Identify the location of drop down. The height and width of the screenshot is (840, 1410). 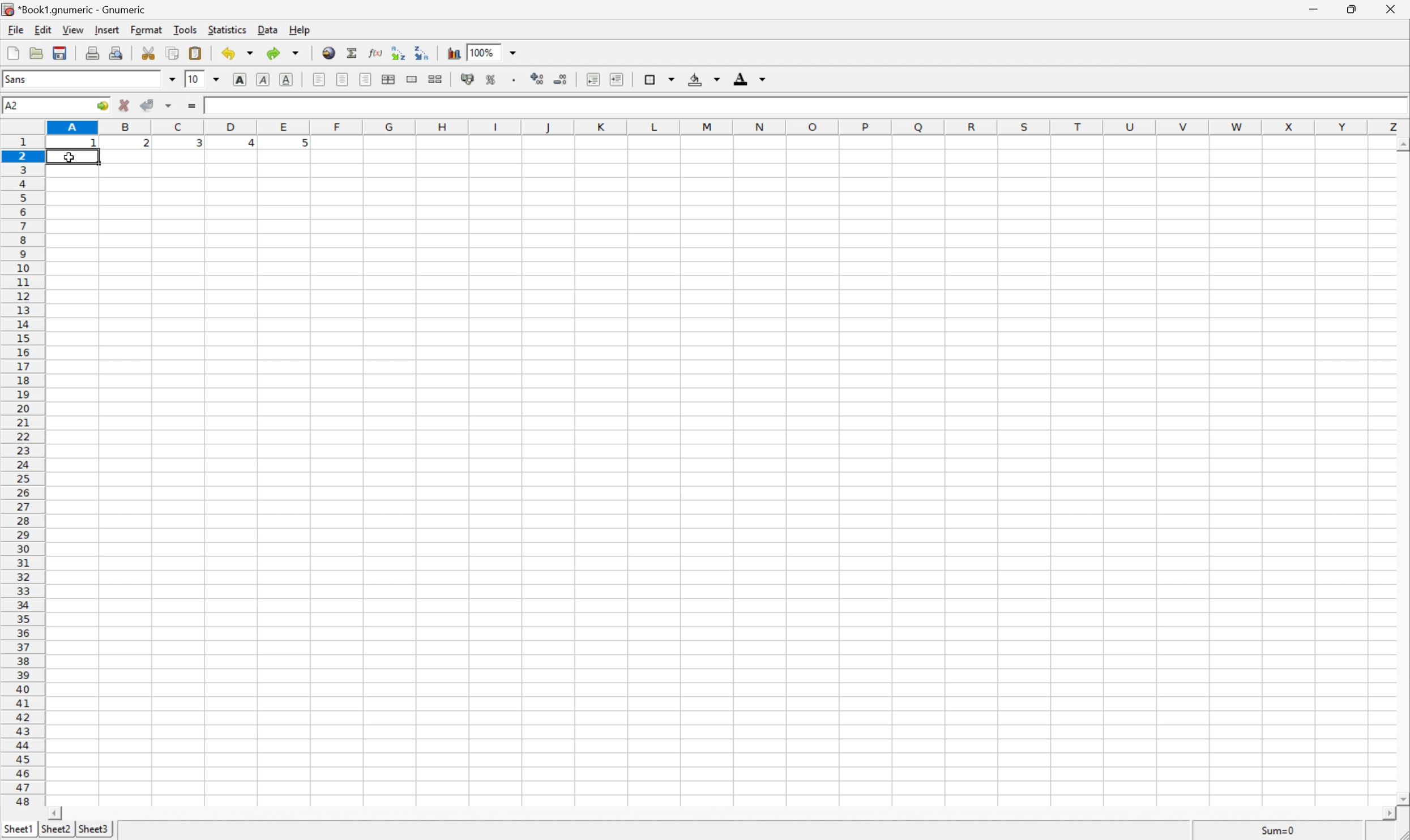
(216, 79).